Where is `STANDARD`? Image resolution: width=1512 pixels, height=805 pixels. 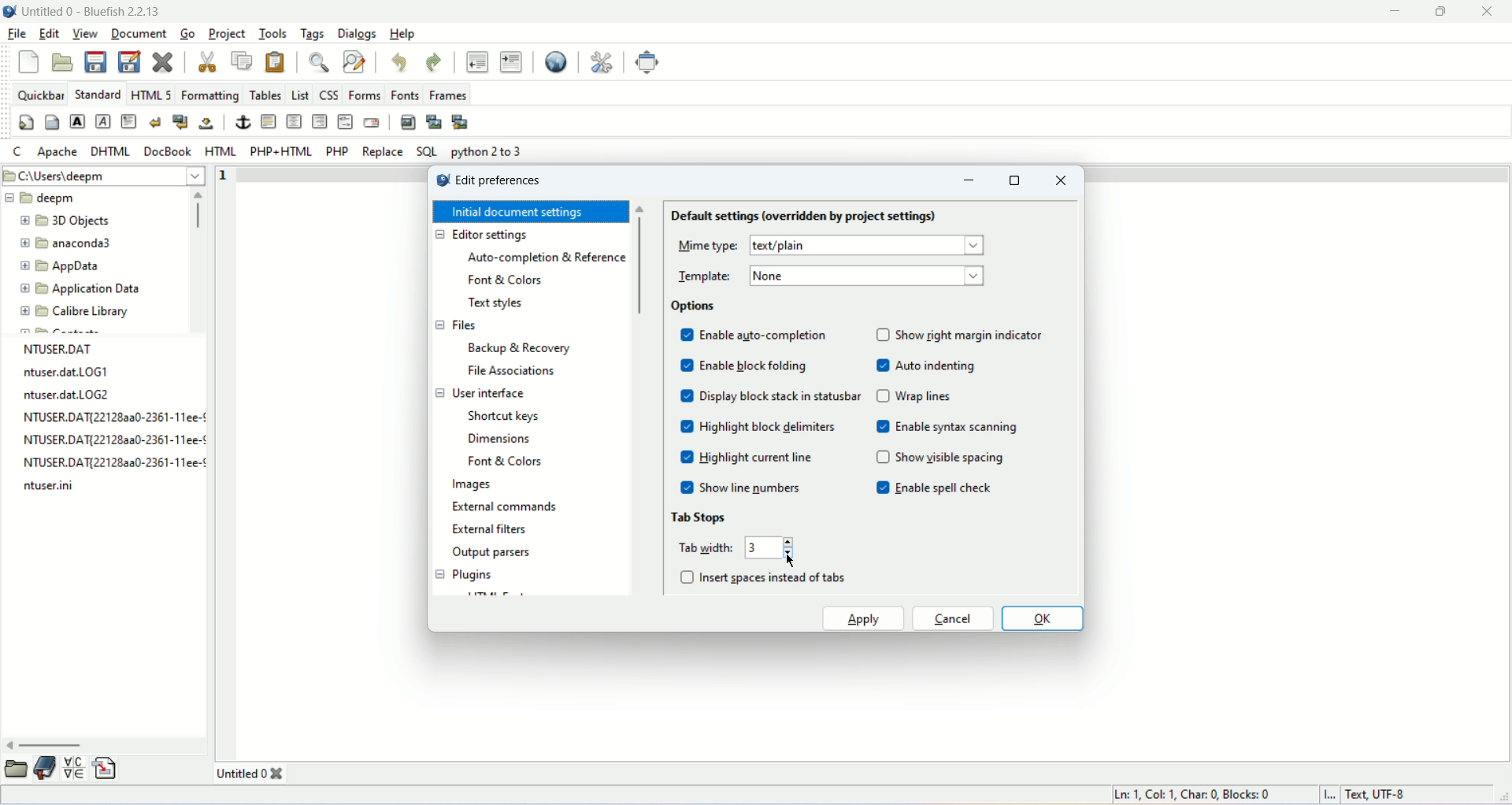 STANDARD is located at coordinates (97, 93).